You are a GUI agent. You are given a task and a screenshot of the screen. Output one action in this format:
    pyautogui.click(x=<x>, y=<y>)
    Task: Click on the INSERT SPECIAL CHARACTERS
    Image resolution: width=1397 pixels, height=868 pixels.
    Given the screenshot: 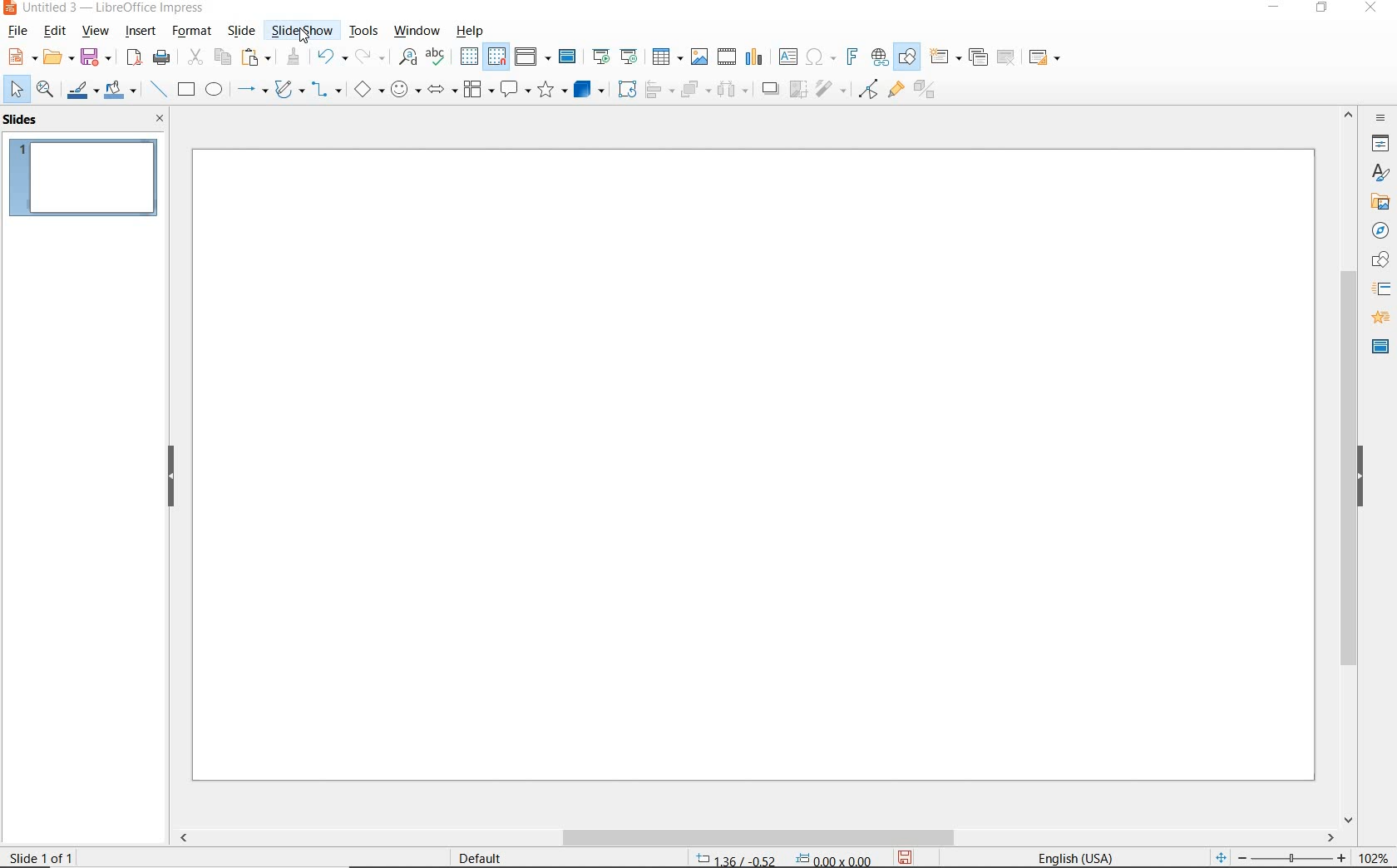 What is the action you would take?
    pyautogui.click(x=819, y=57)
    